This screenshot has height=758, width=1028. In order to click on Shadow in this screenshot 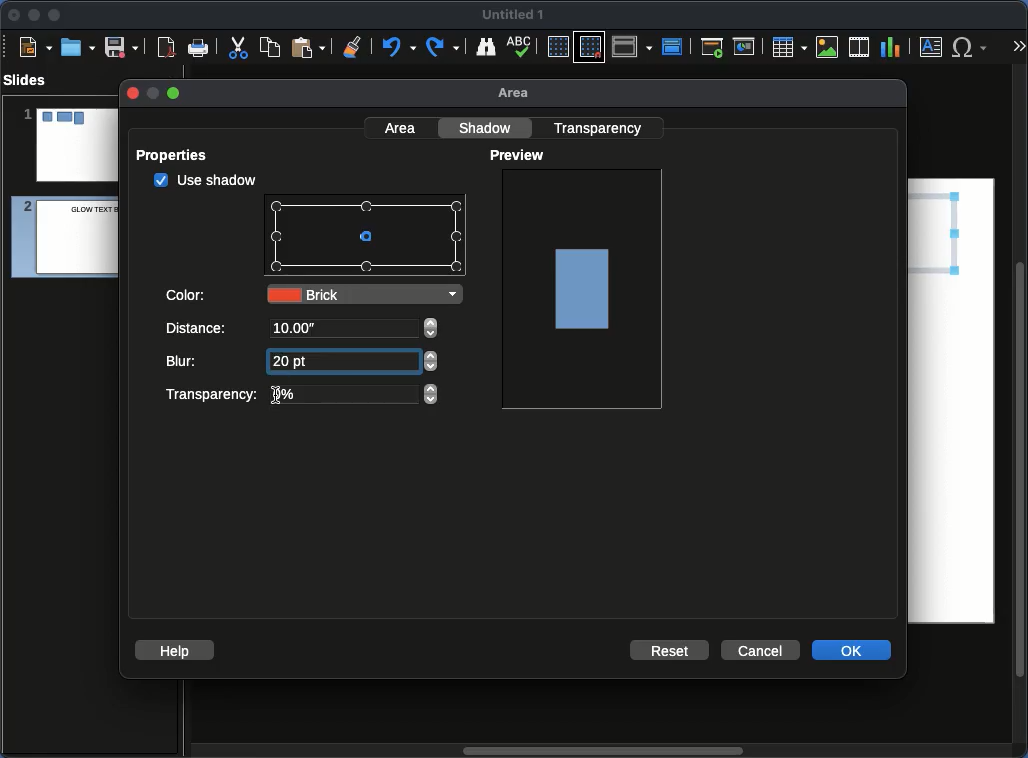, I will do `click(488, 127)`.